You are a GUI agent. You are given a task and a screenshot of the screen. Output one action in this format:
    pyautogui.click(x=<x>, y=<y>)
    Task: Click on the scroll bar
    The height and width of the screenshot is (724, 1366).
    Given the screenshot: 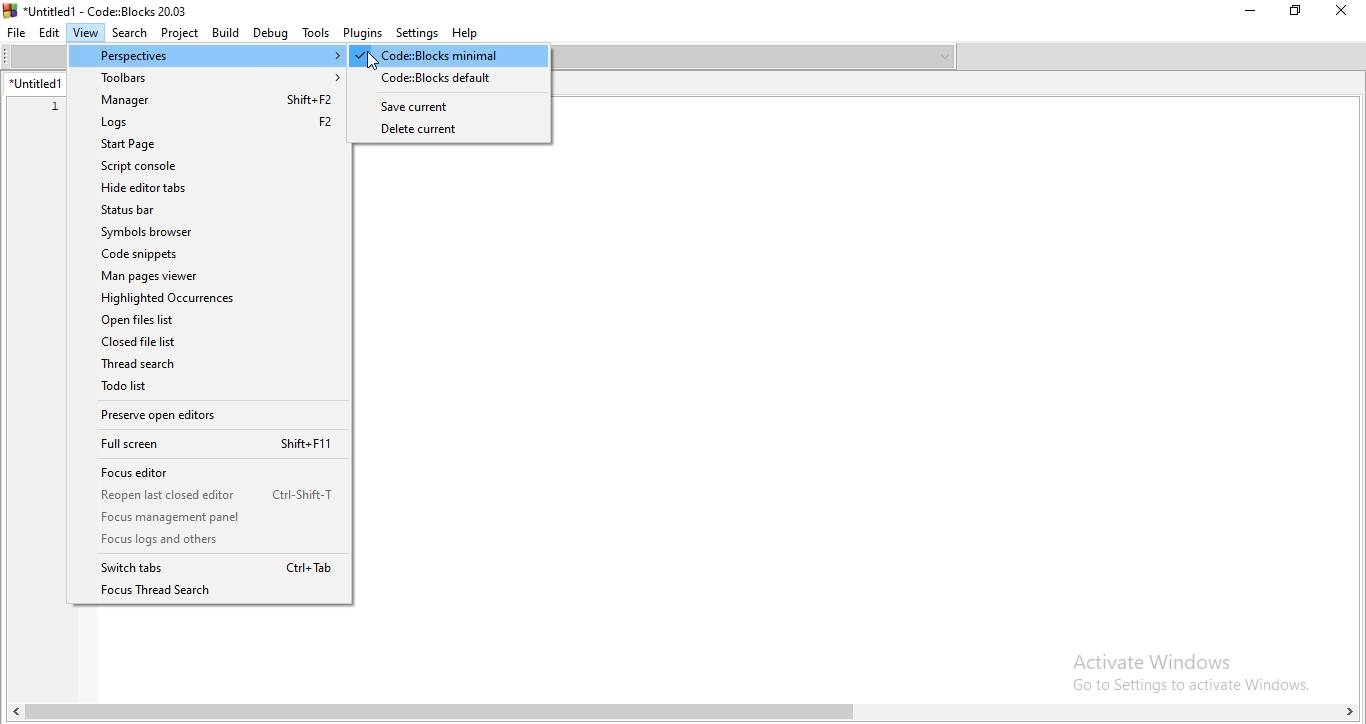 What is the action you would take?
    pyautogui.click(x=683, y=713)
    